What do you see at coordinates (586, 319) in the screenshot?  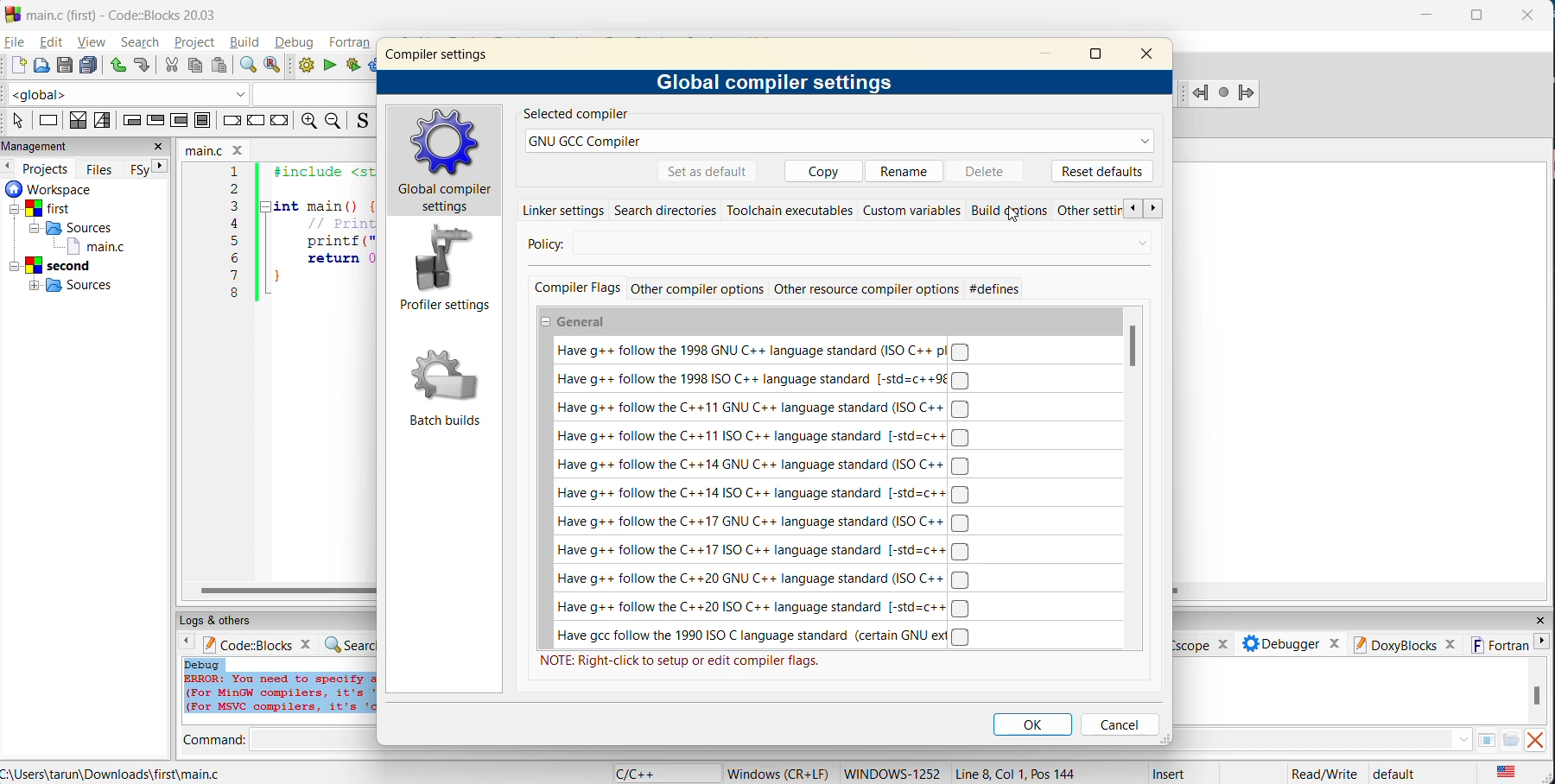 I see `general` at bounding box center [586, 319].